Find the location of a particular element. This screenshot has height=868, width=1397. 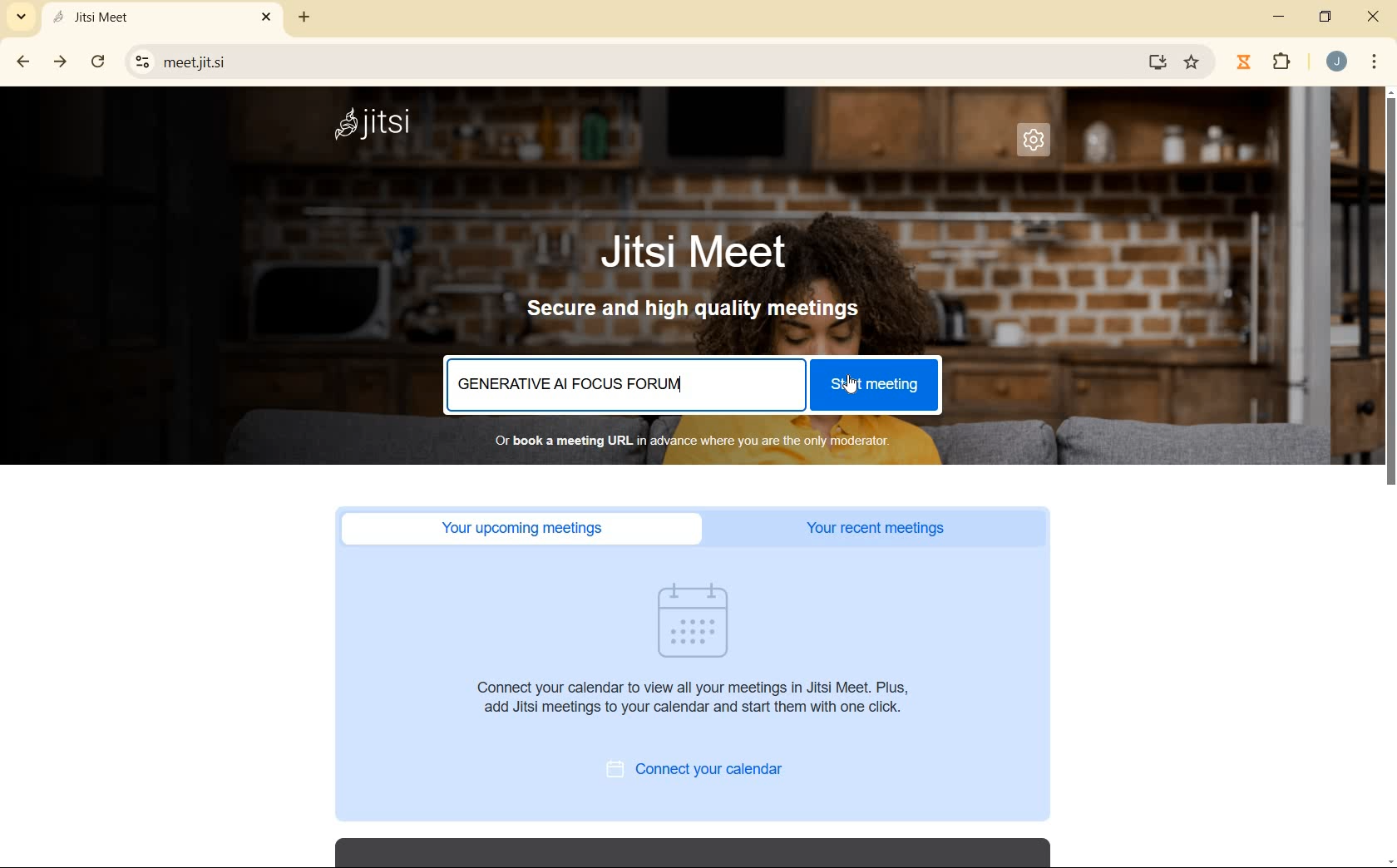

START MEETING is located at coordinates (874, 388).